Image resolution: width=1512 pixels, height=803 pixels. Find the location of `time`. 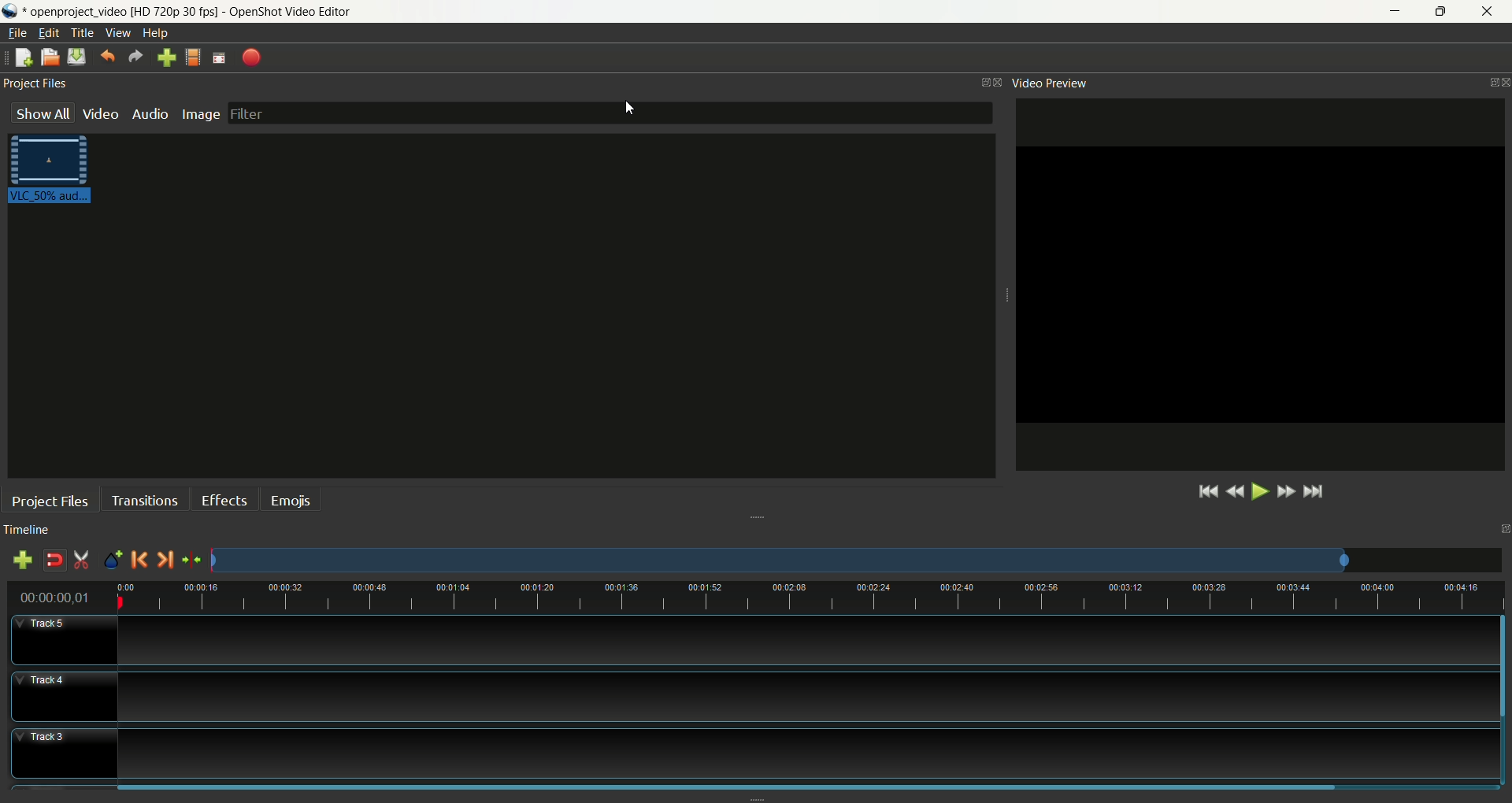

time is located at coordinates (60, 598).